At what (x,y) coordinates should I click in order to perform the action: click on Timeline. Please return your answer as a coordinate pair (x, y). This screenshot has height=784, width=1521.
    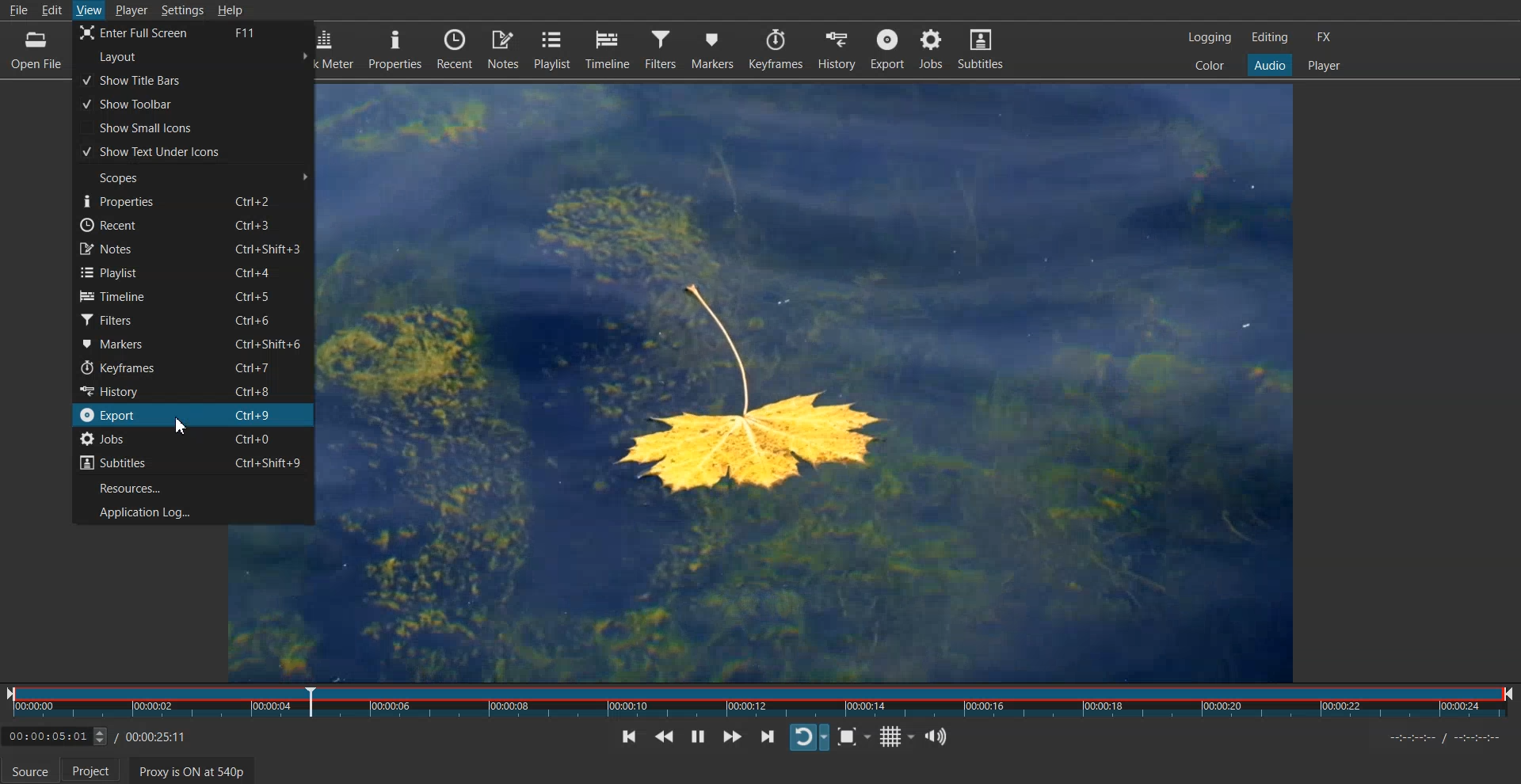
    Looking at the image, I should click on (192, 295).